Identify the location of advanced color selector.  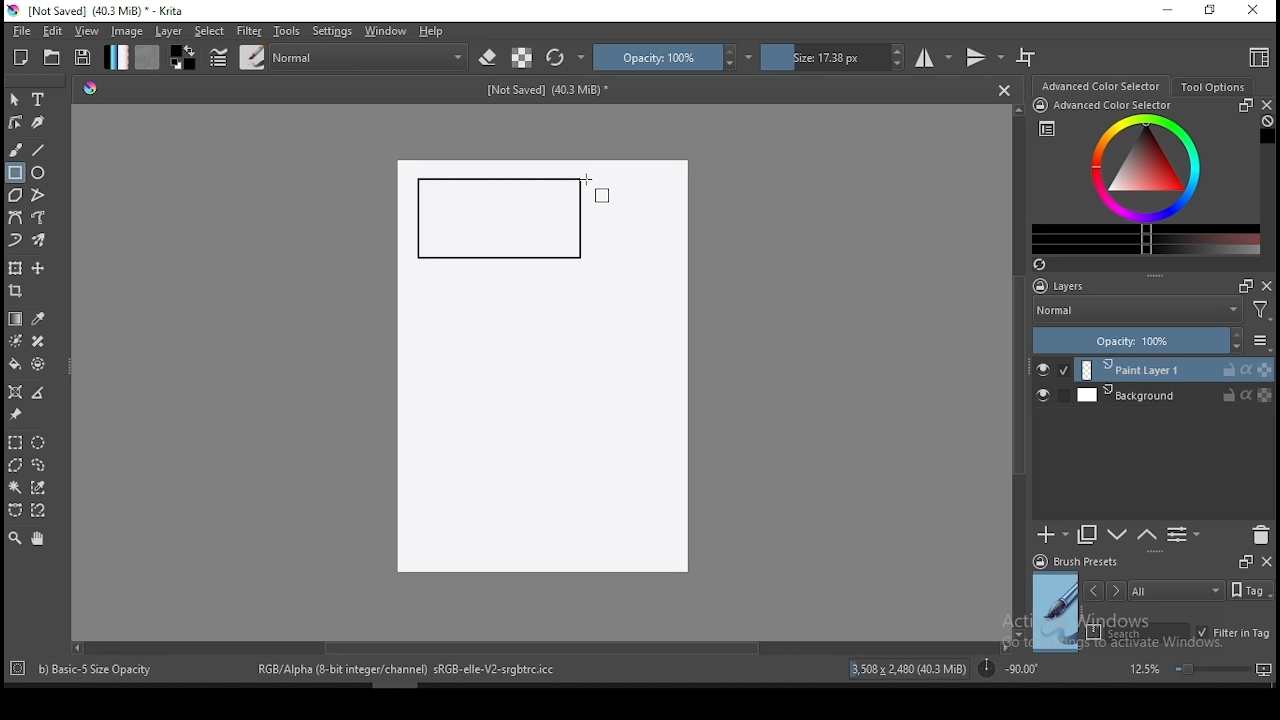
(1142, 176).